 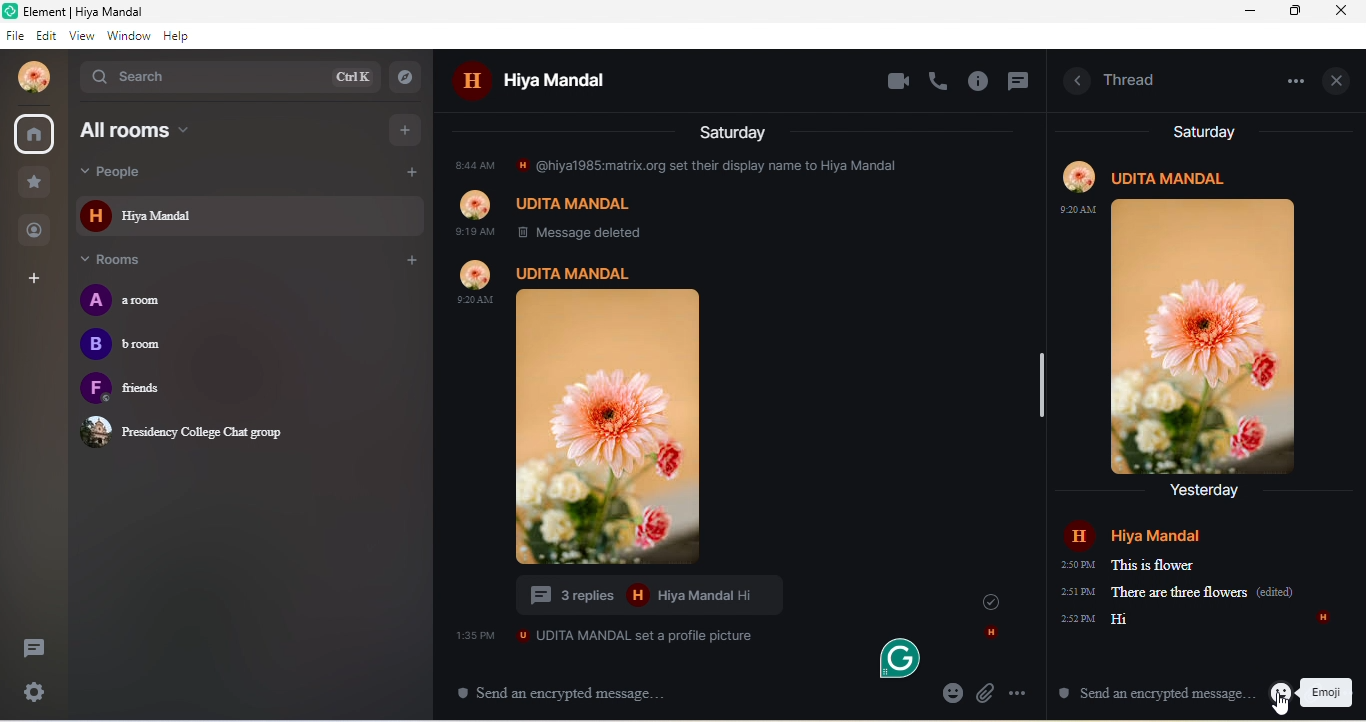 What do you see at coordinates (34, 182) in the screenshot?
I see `Favourite` at bounding box center [34, 182].